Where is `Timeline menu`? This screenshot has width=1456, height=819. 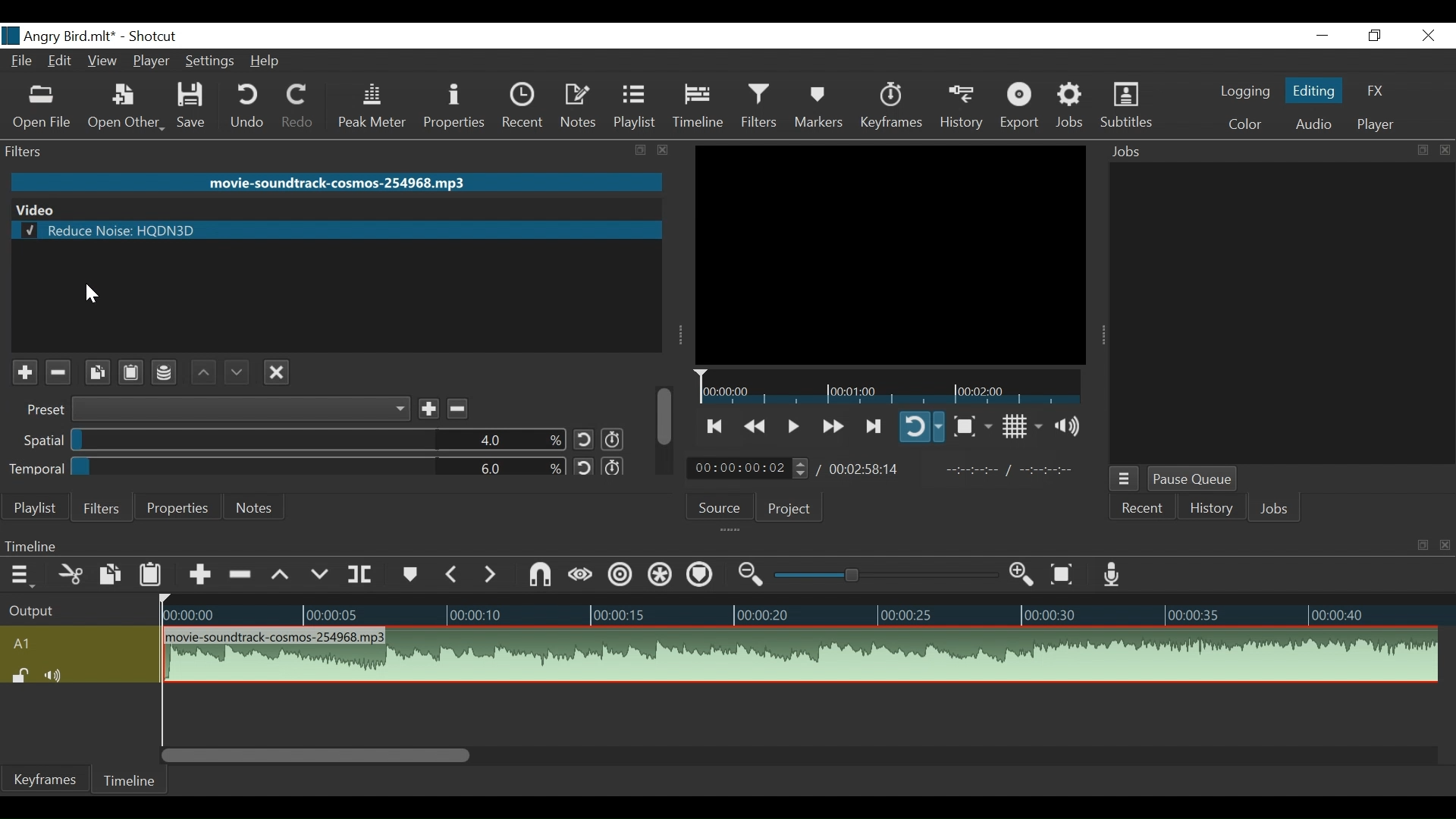 Timeline menu is located at coordinates (704, 546).